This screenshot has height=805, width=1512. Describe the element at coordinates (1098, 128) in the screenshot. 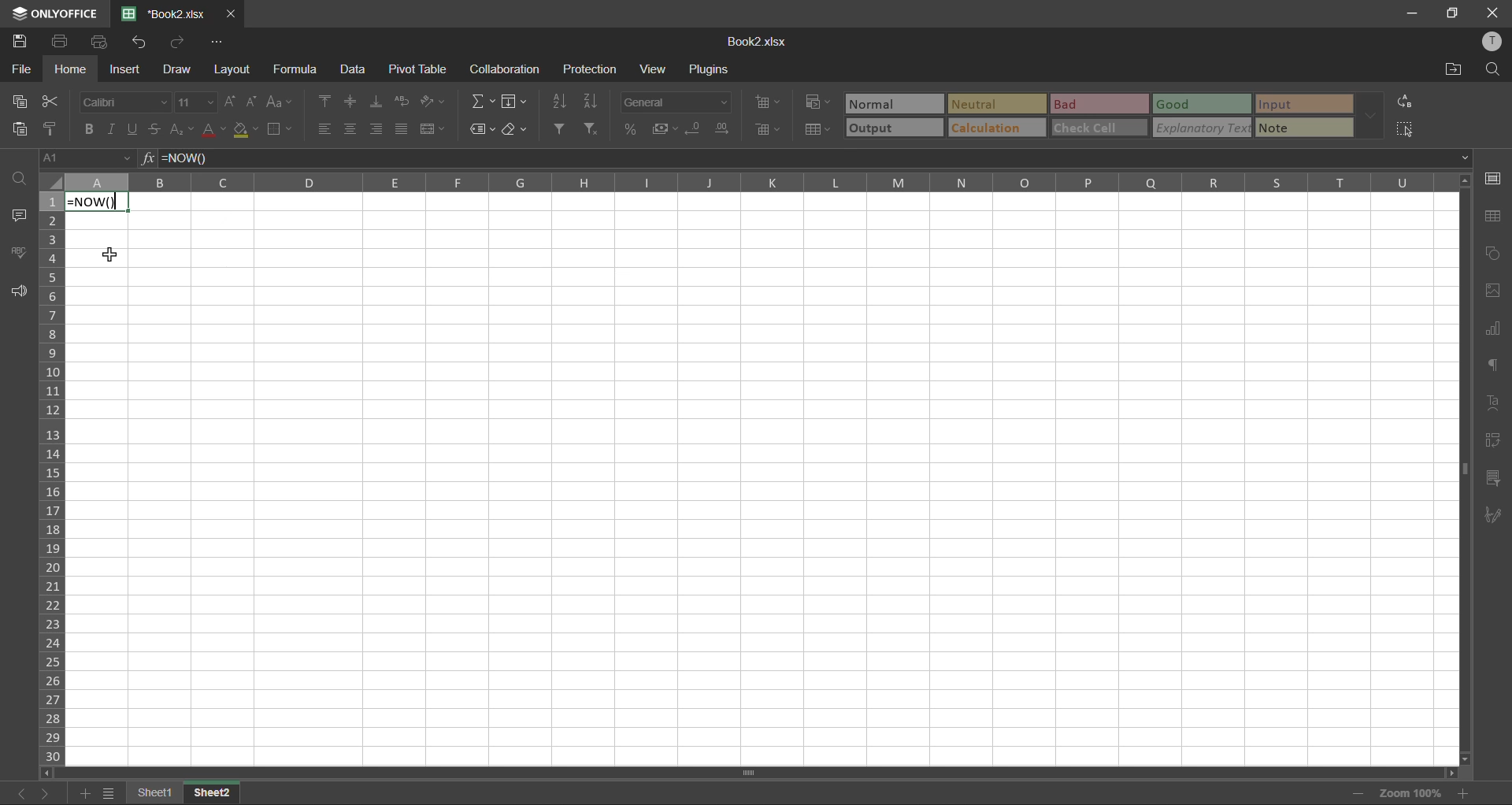

I see `check cell` at that location.